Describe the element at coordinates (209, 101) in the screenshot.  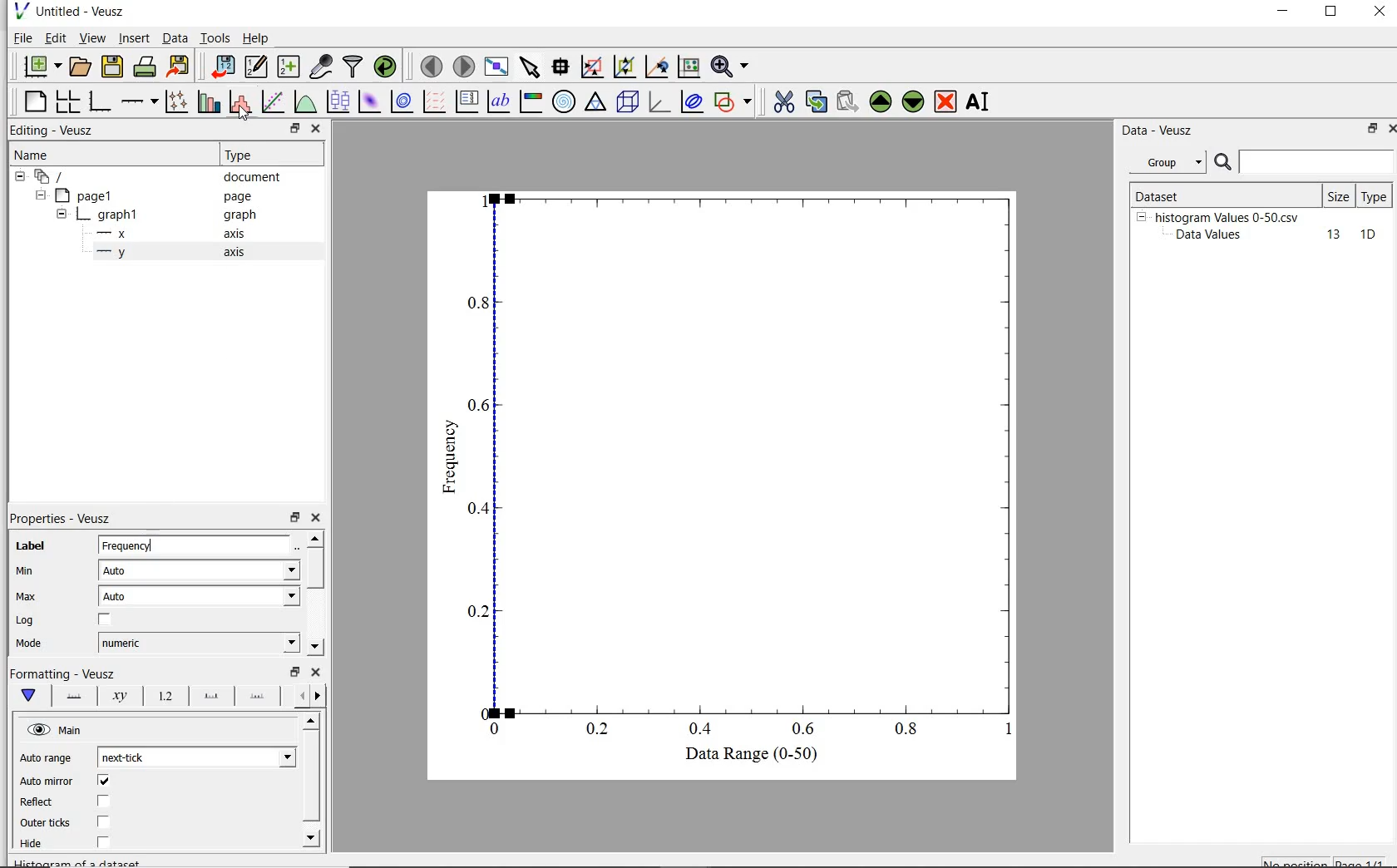
I see `plot bar charts` at that location.